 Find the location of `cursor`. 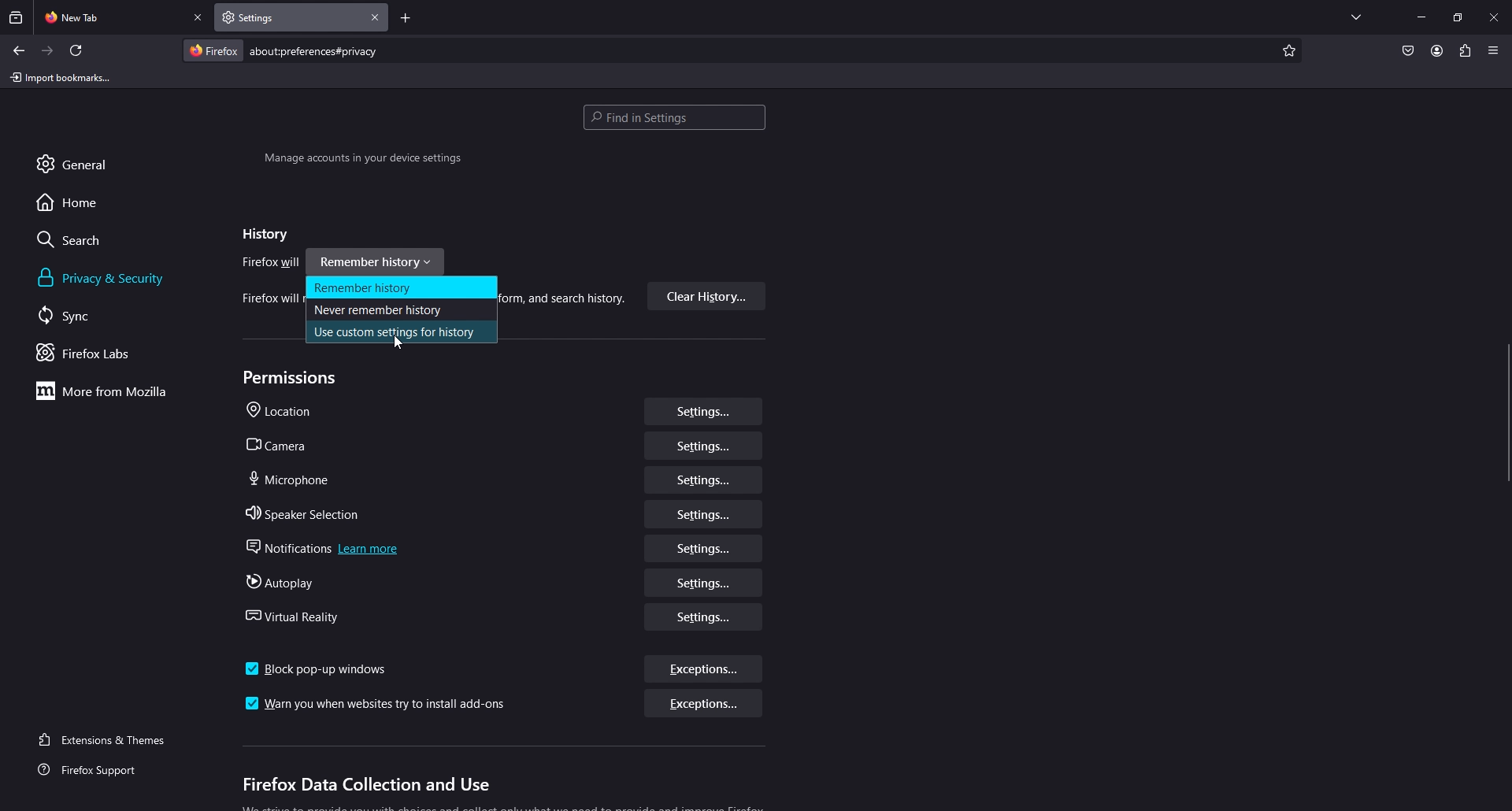

cursor is located at coordinates (401, 346).